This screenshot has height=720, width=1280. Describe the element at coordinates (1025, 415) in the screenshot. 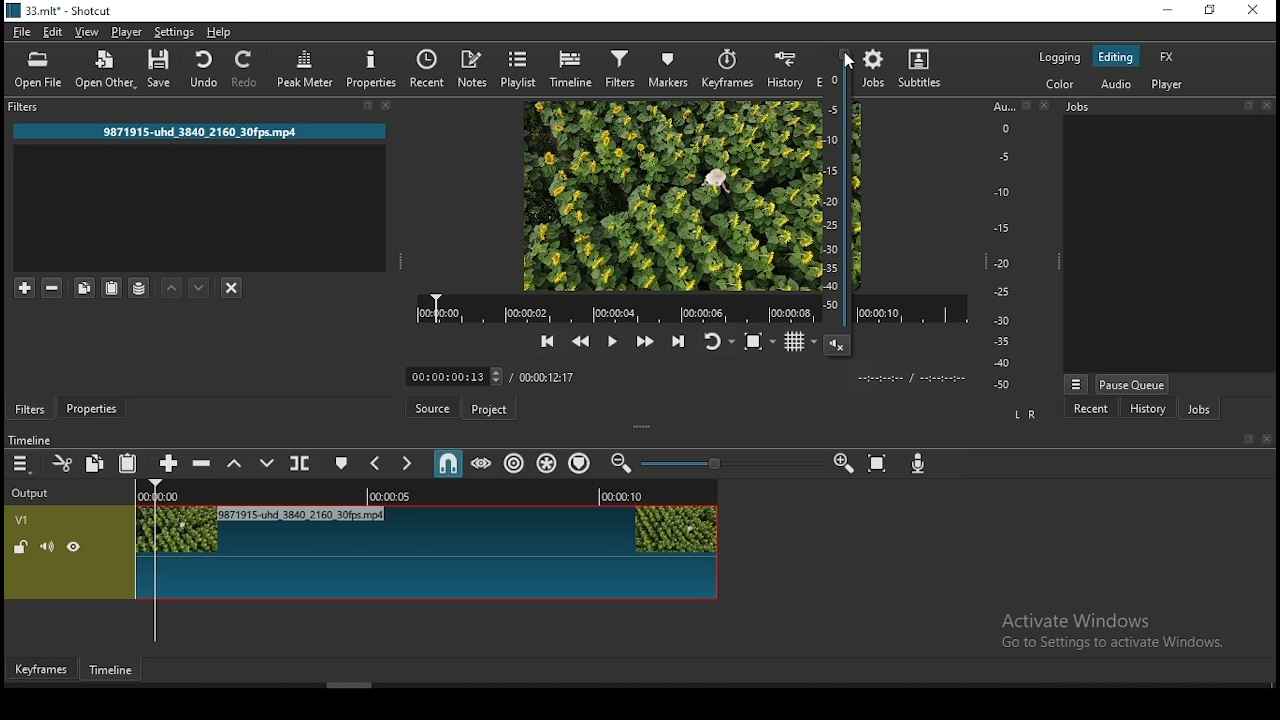

I see `L R` at that location.